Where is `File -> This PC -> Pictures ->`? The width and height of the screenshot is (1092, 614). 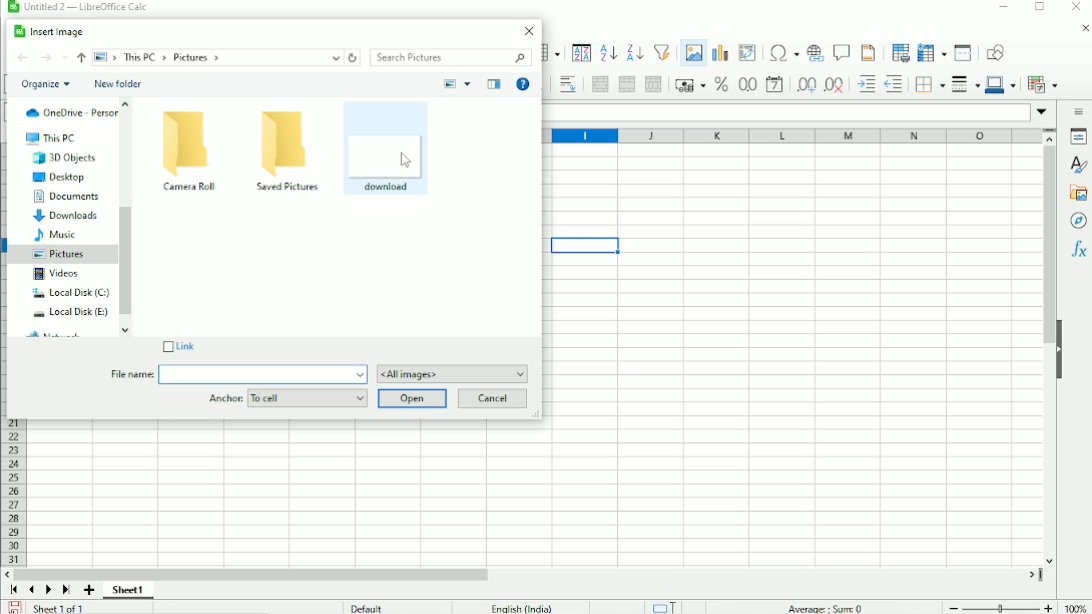
File -> This PC -> Pictures -> is located at coordinates (216, 58).